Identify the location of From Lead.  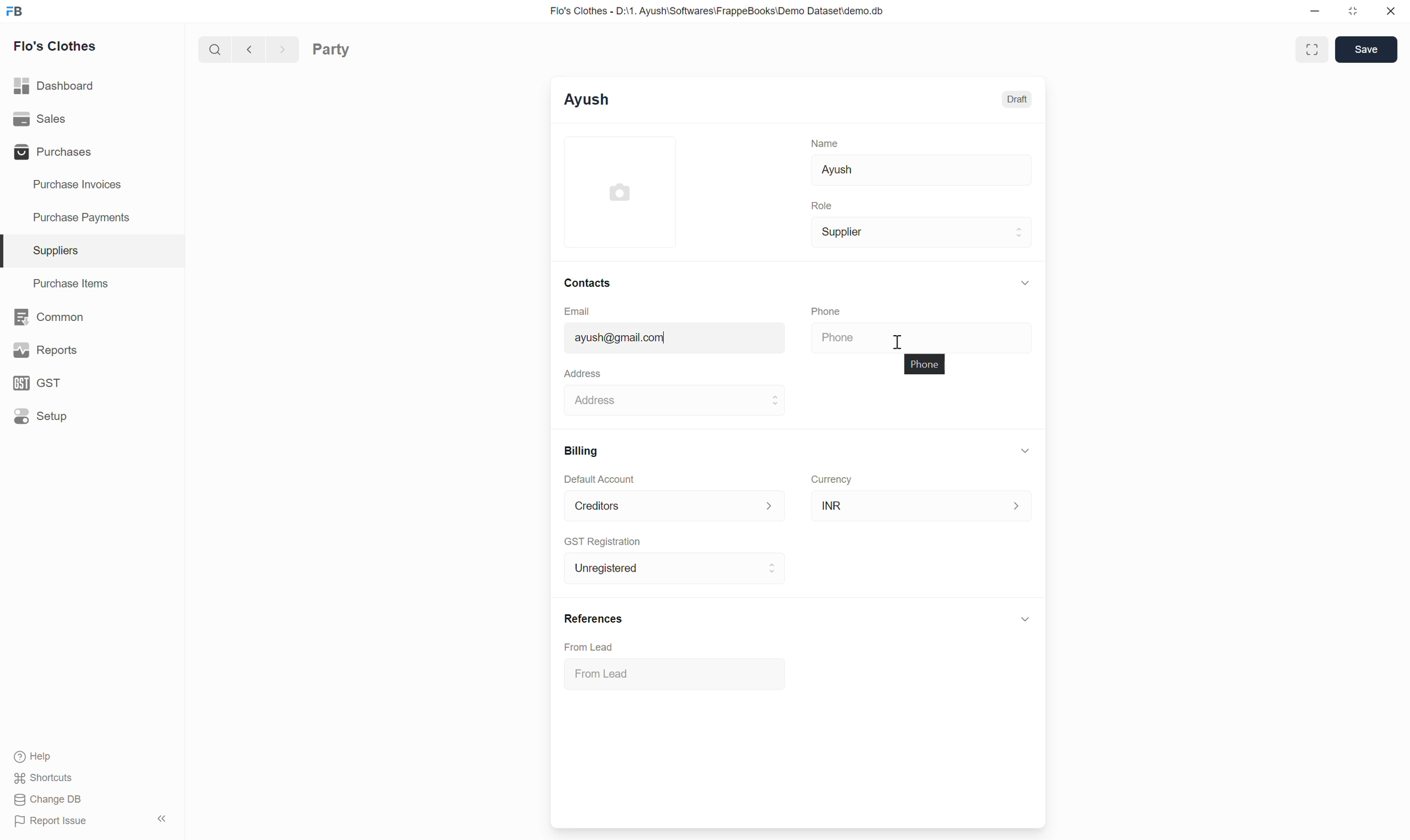
(588, 647).